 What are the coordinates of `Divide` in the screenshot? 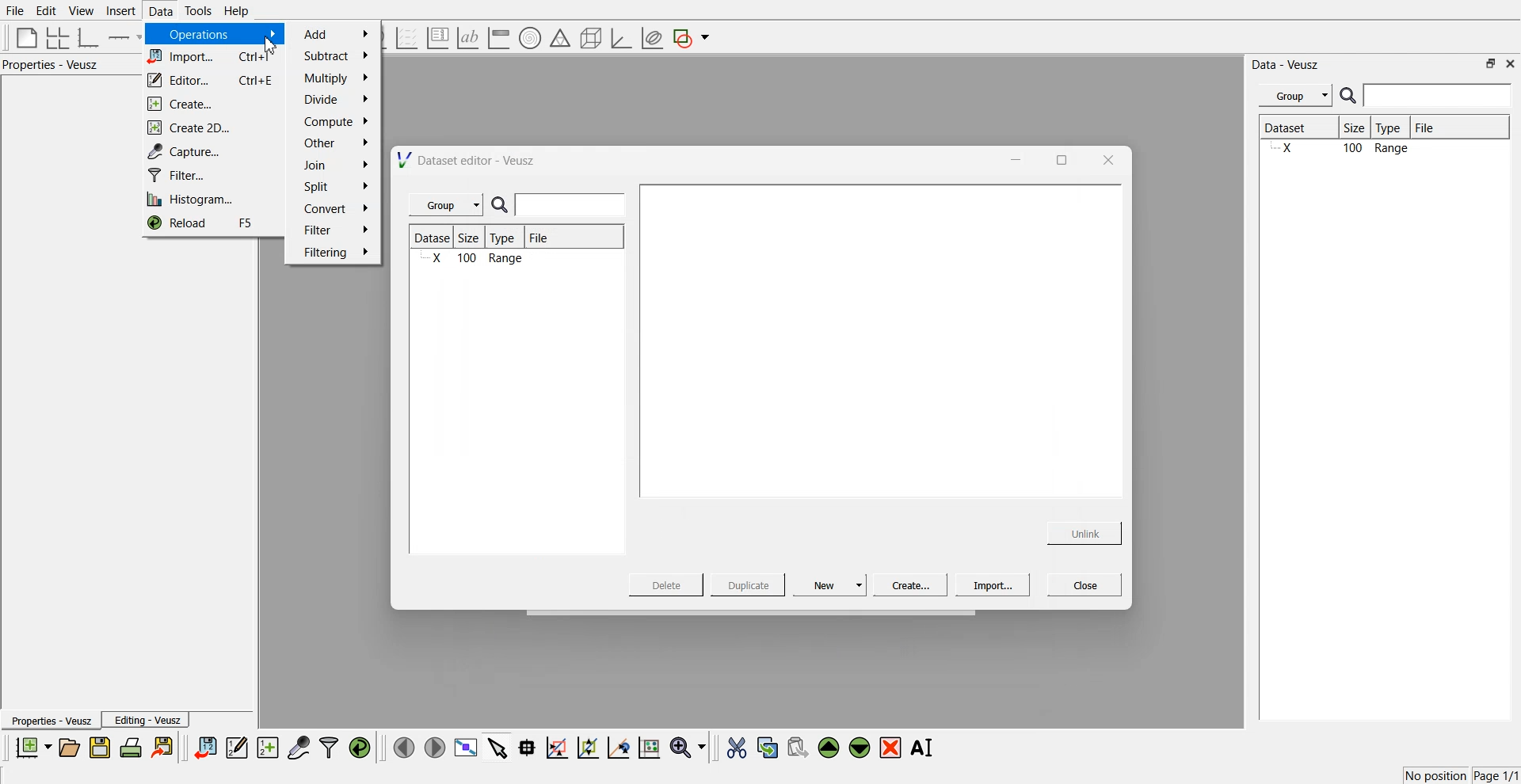 It's located at (335, 100).